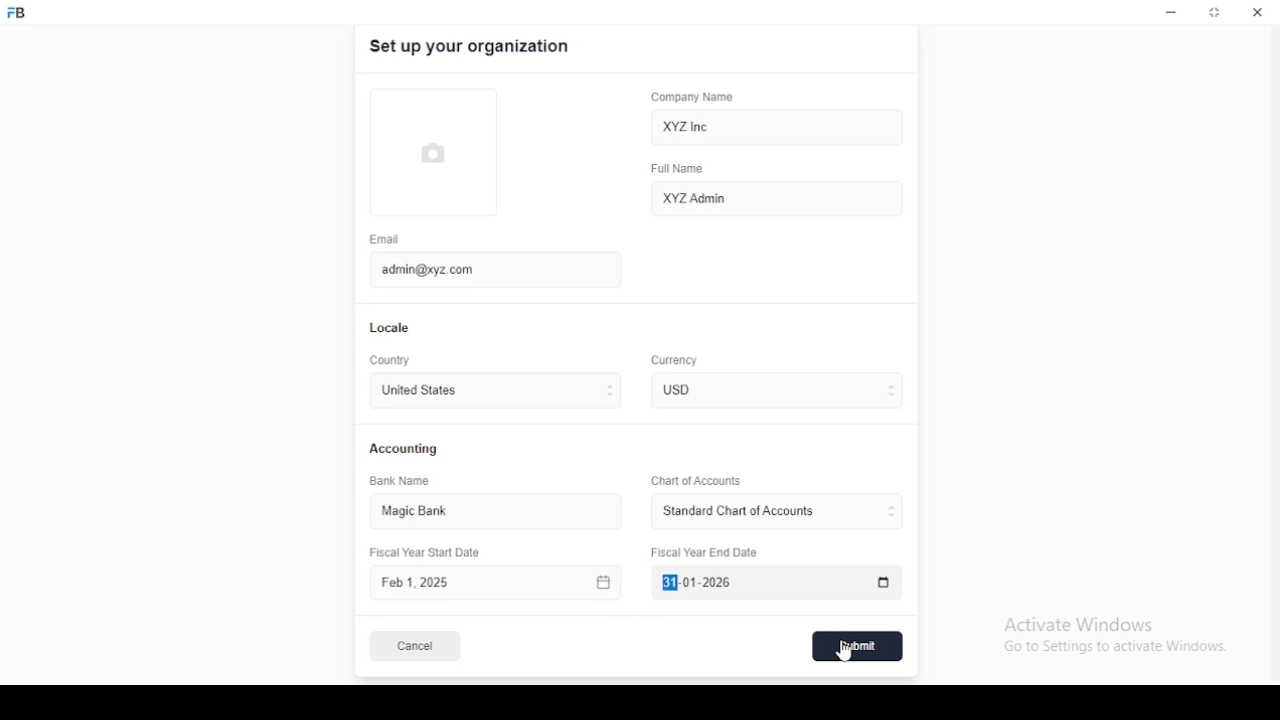 The width and height of the screenshot is (1280, 720). I want to click on magic bank, so click(423, 512).